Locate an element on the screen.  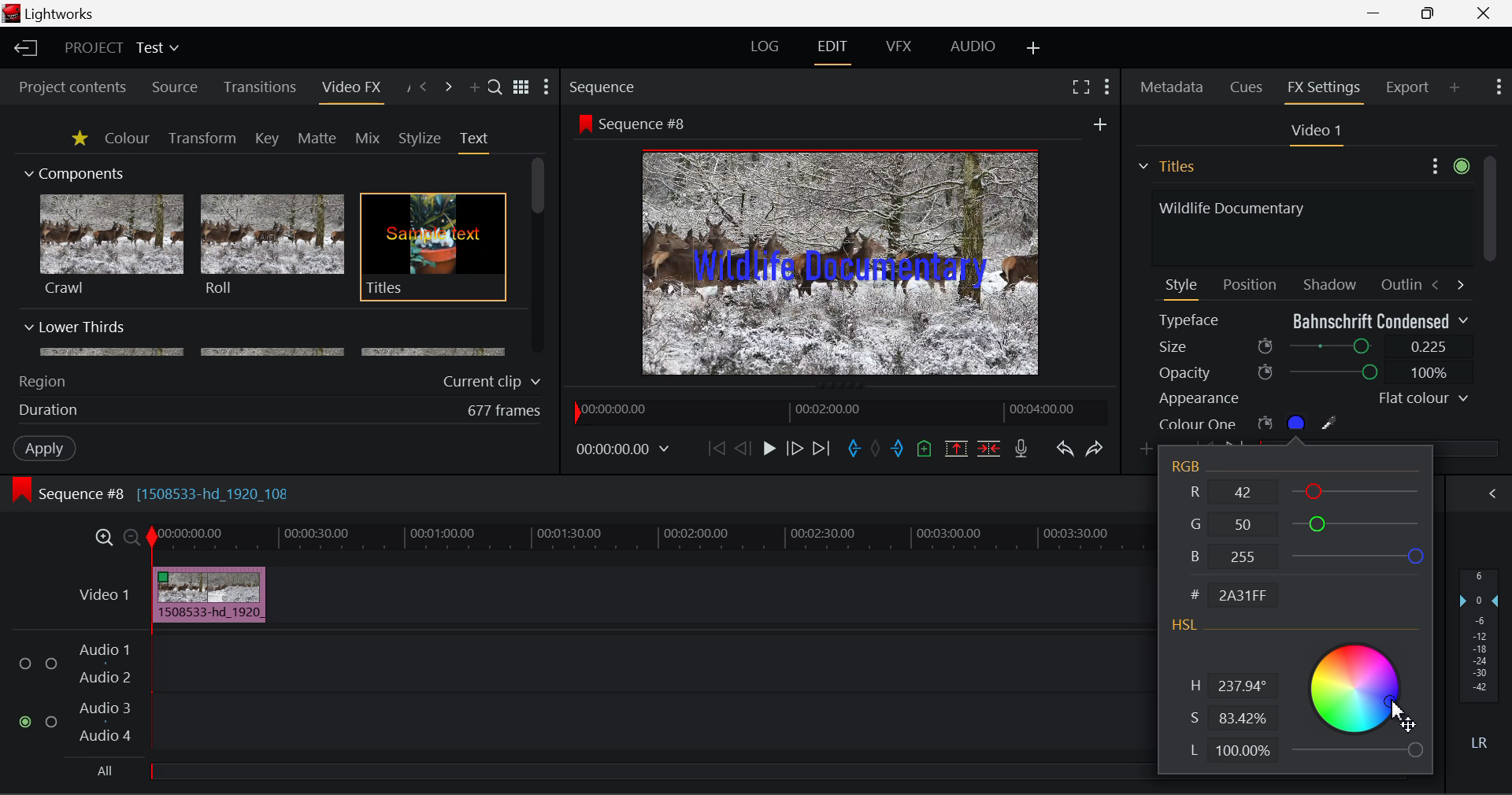
Shadow is located at coordinates (1331, 281).